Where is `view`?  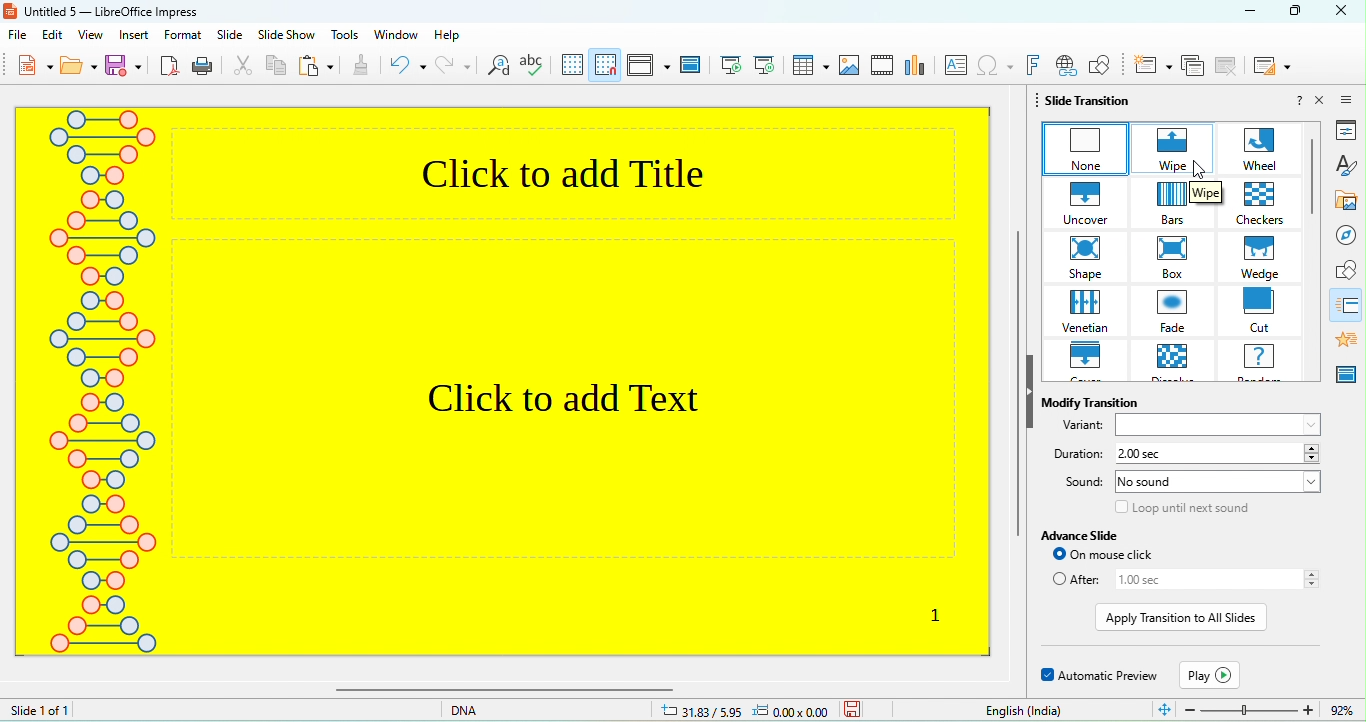
view is located at coordinates (91, 36).